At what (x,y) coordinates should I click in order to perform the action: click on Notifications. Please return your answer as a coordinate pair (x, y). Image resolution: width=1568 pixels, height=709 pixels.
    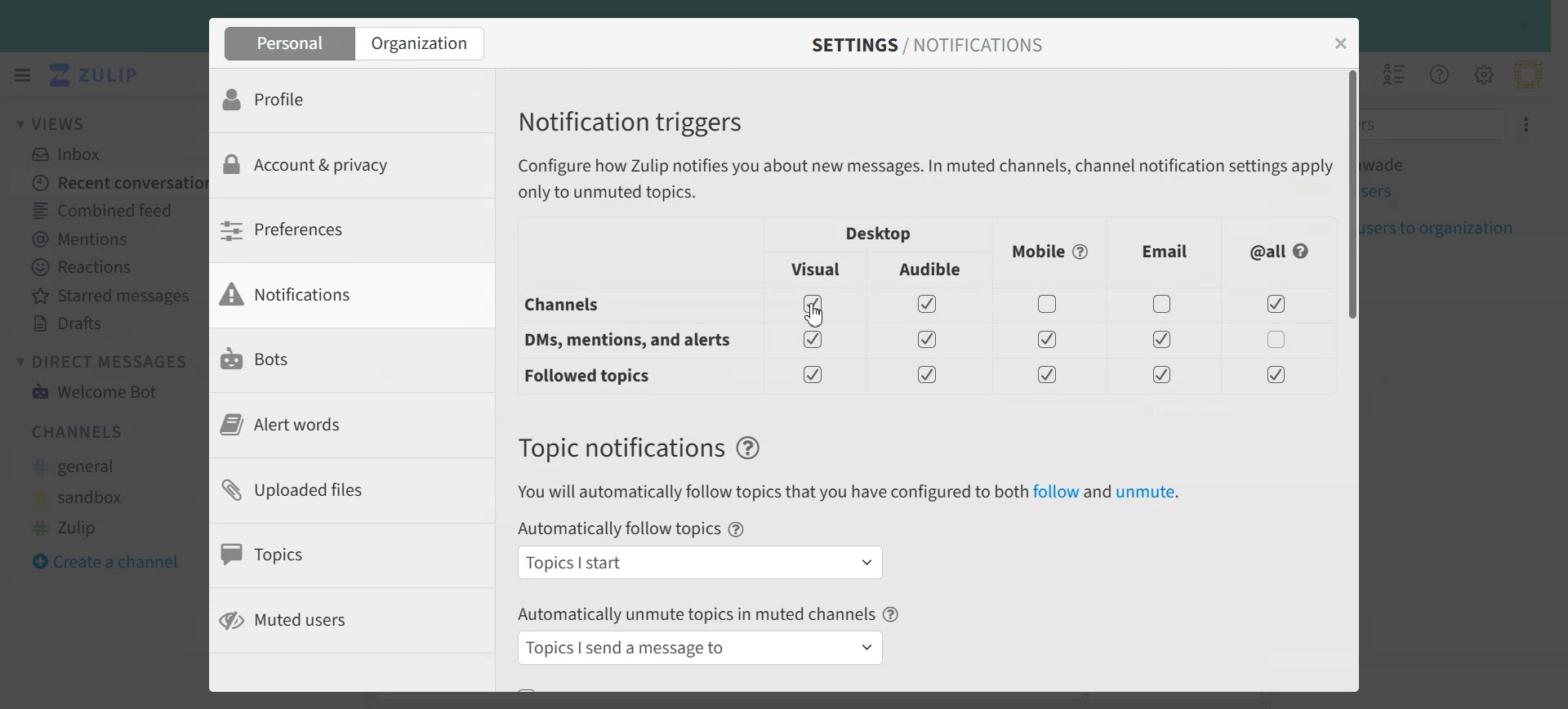
    Looking at the image, I should click on (330, 295).